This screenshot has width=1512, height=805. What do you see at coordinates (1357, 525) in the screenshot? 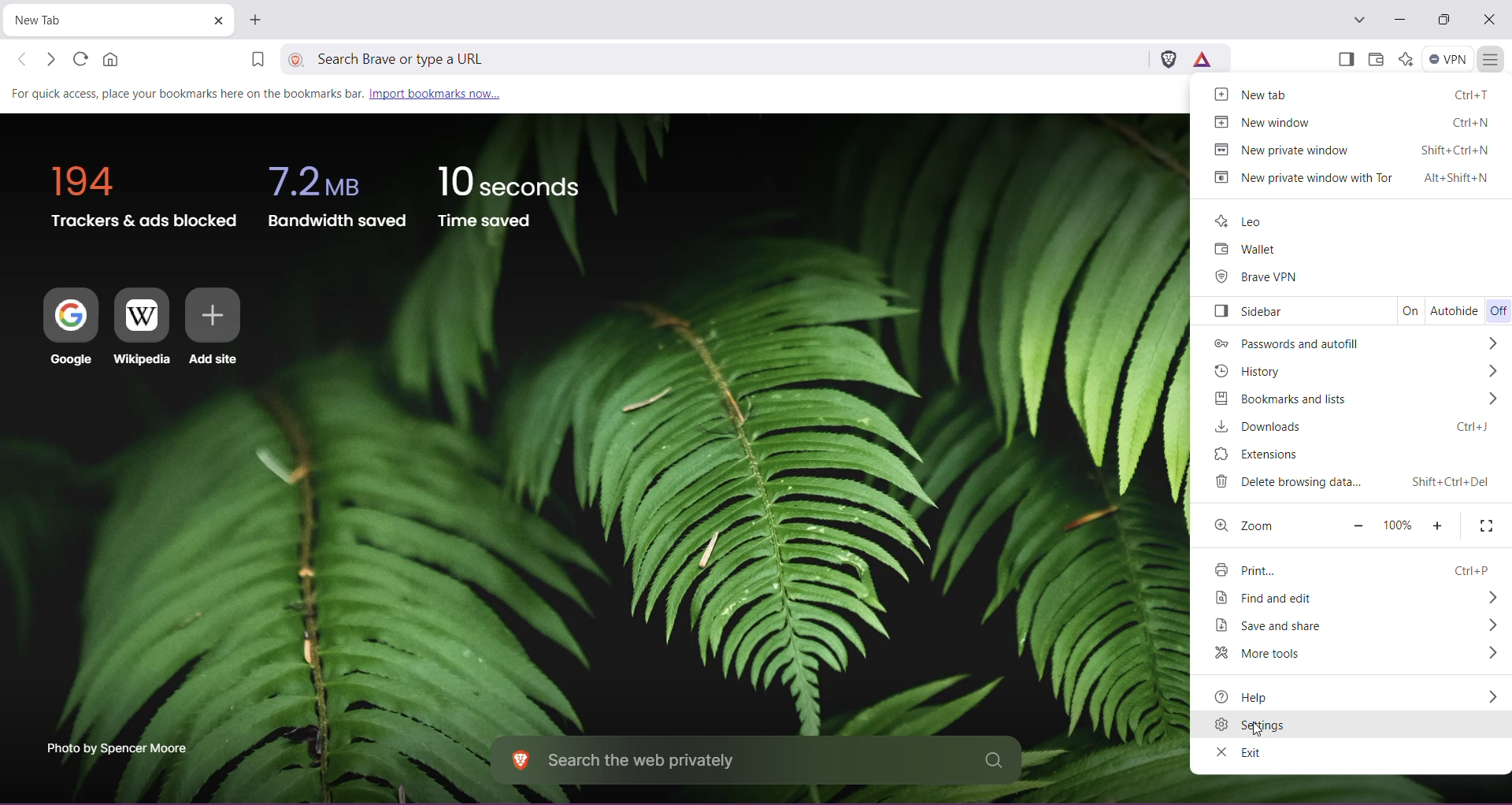
I see `Make text smaller` at bounding box center [1357, 525].